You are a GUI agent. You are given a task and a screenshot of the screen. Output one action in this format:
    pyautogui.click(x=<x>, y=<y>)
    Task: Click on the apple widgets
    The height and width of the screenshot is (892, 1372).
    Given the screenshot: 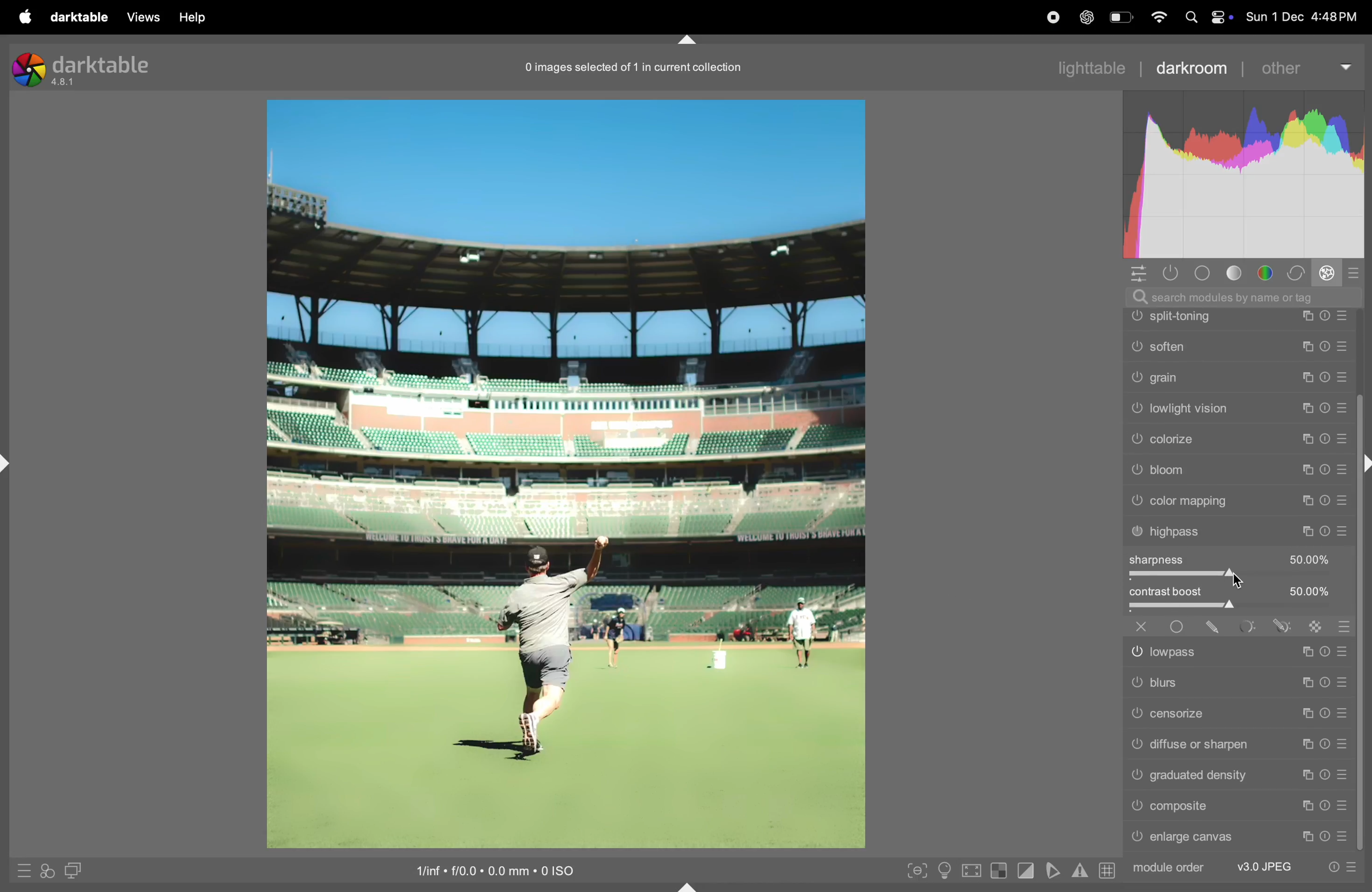 What is the action you would take?
    pyautogui.click(x=1209, y=17)
    